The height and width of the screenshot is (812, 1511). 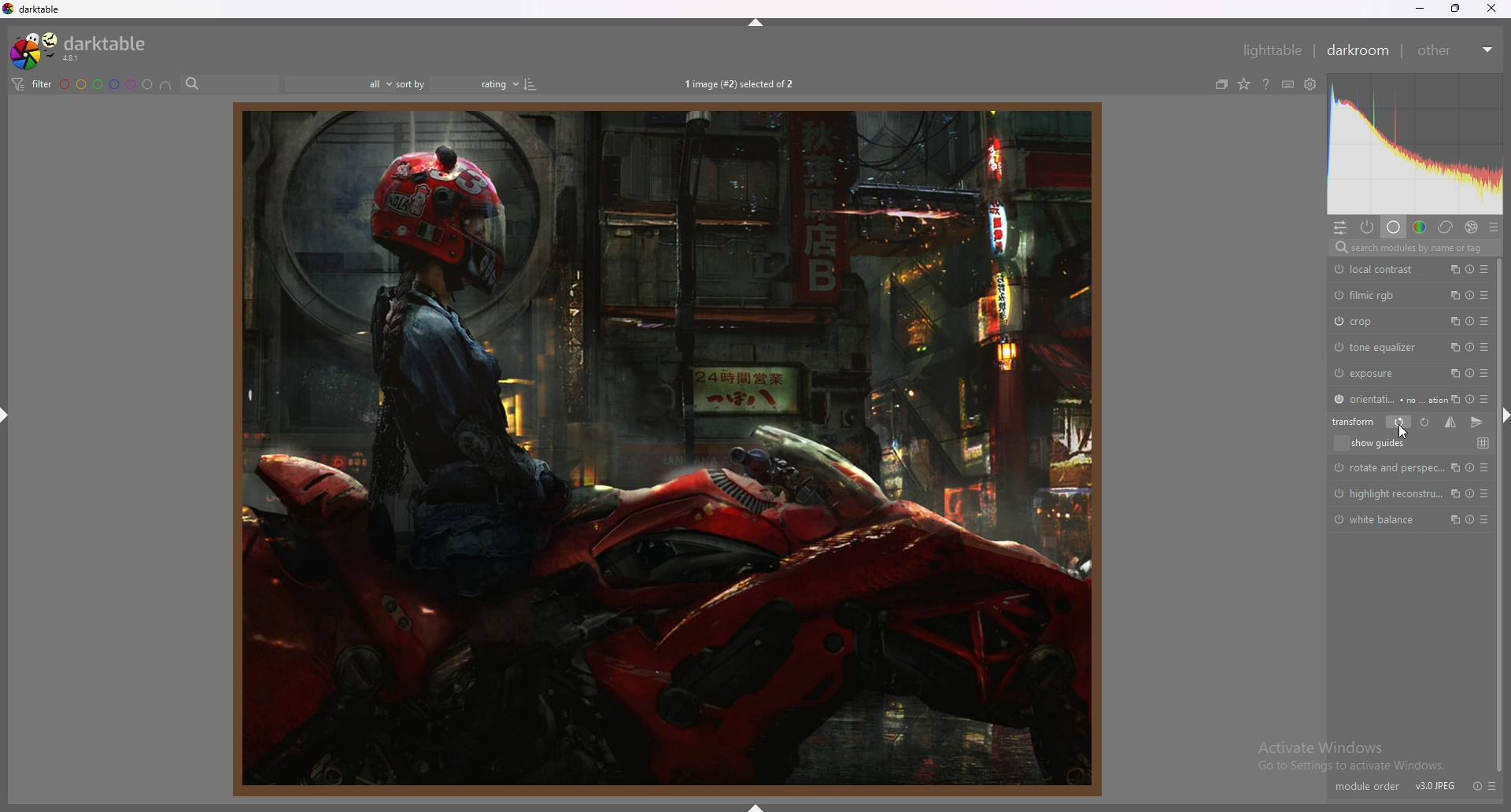 I want to click on flip anticlockwise, so click(x=1398, y=423).